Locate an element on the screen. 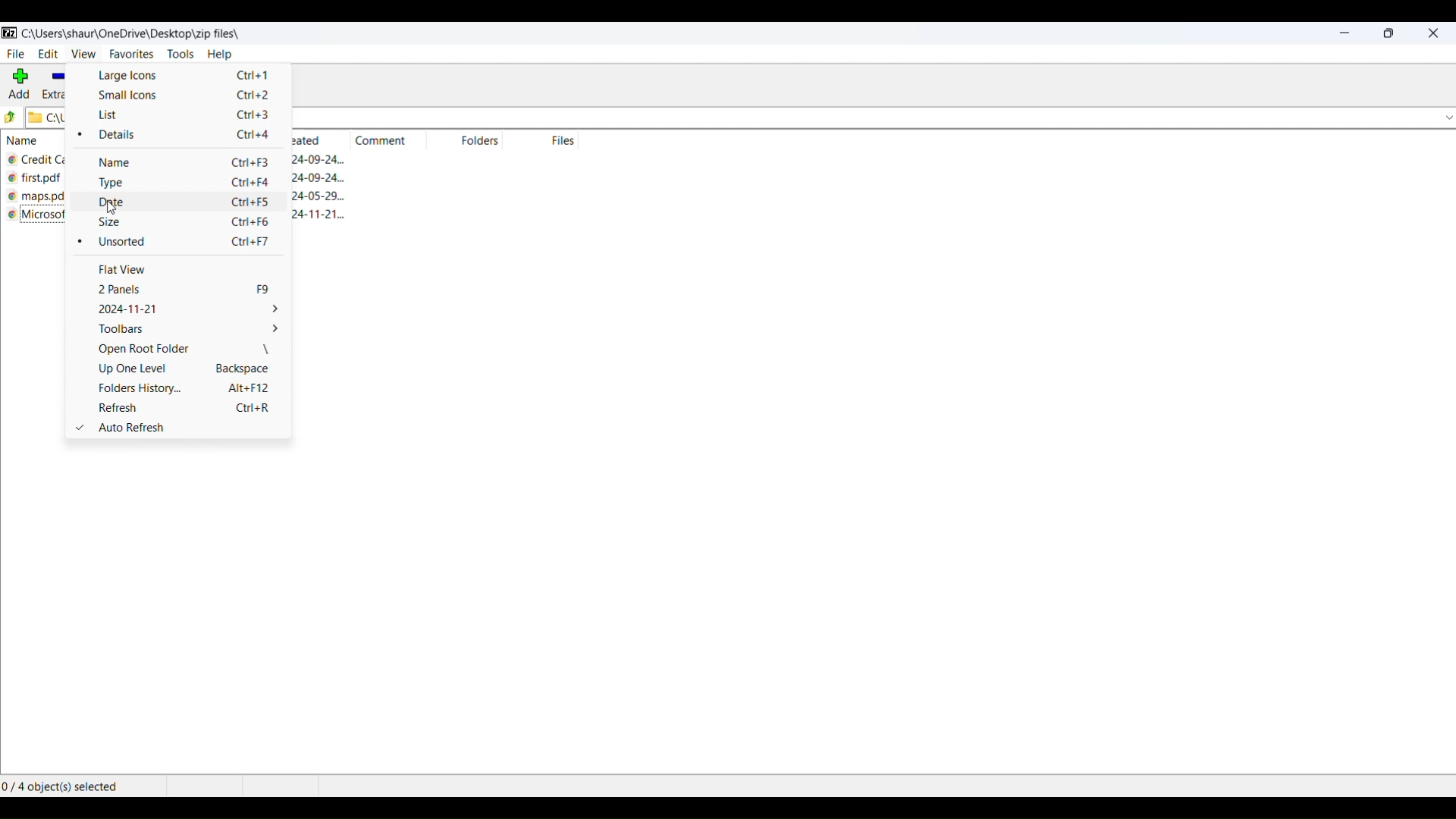 The image size is (1456, 819). tools is located at coordinates (180, 55).